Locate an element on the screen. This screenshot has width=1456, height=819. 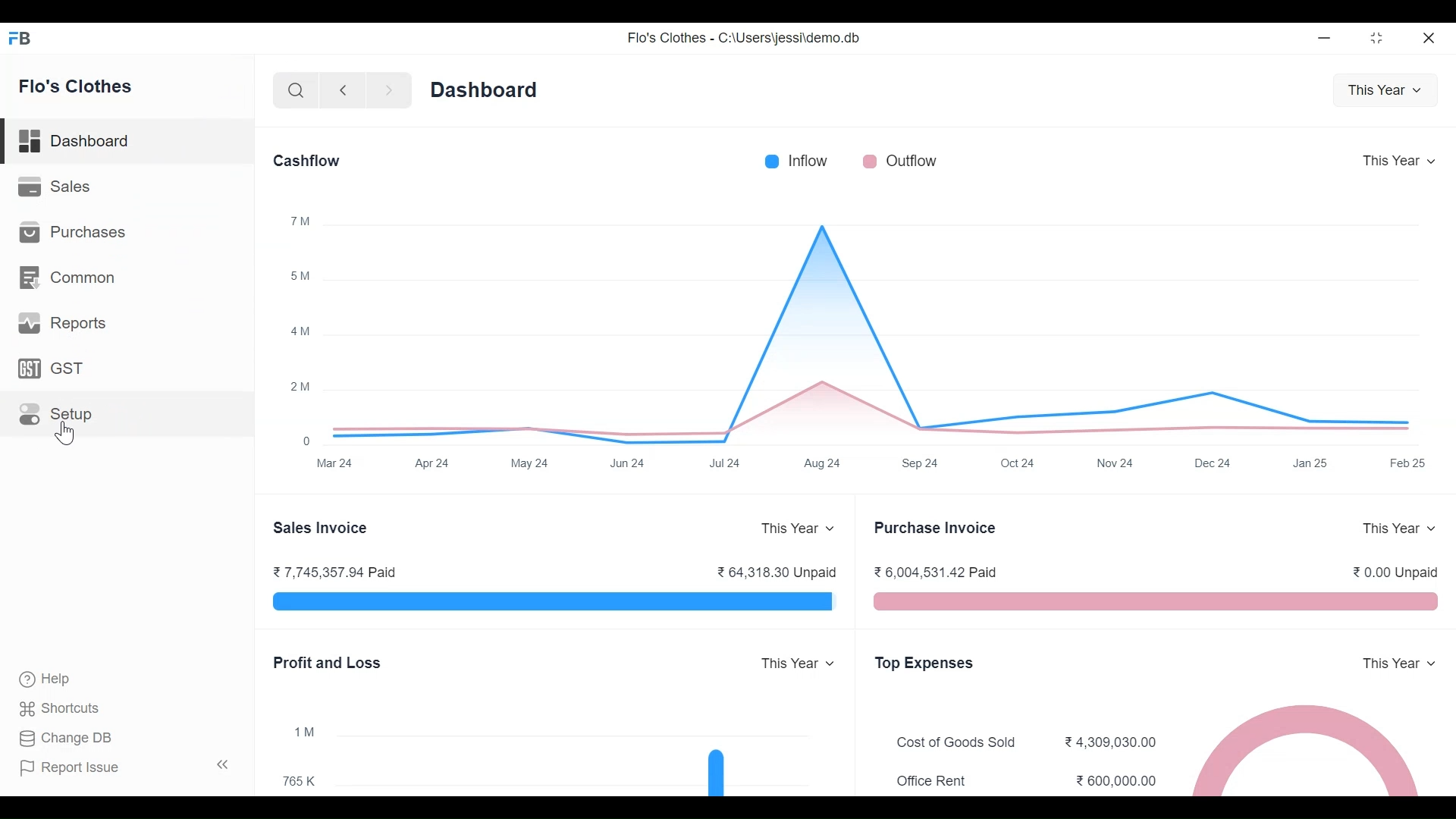
The chart shows the profit (or loss) per month for a is located at coordinates (591, 760).